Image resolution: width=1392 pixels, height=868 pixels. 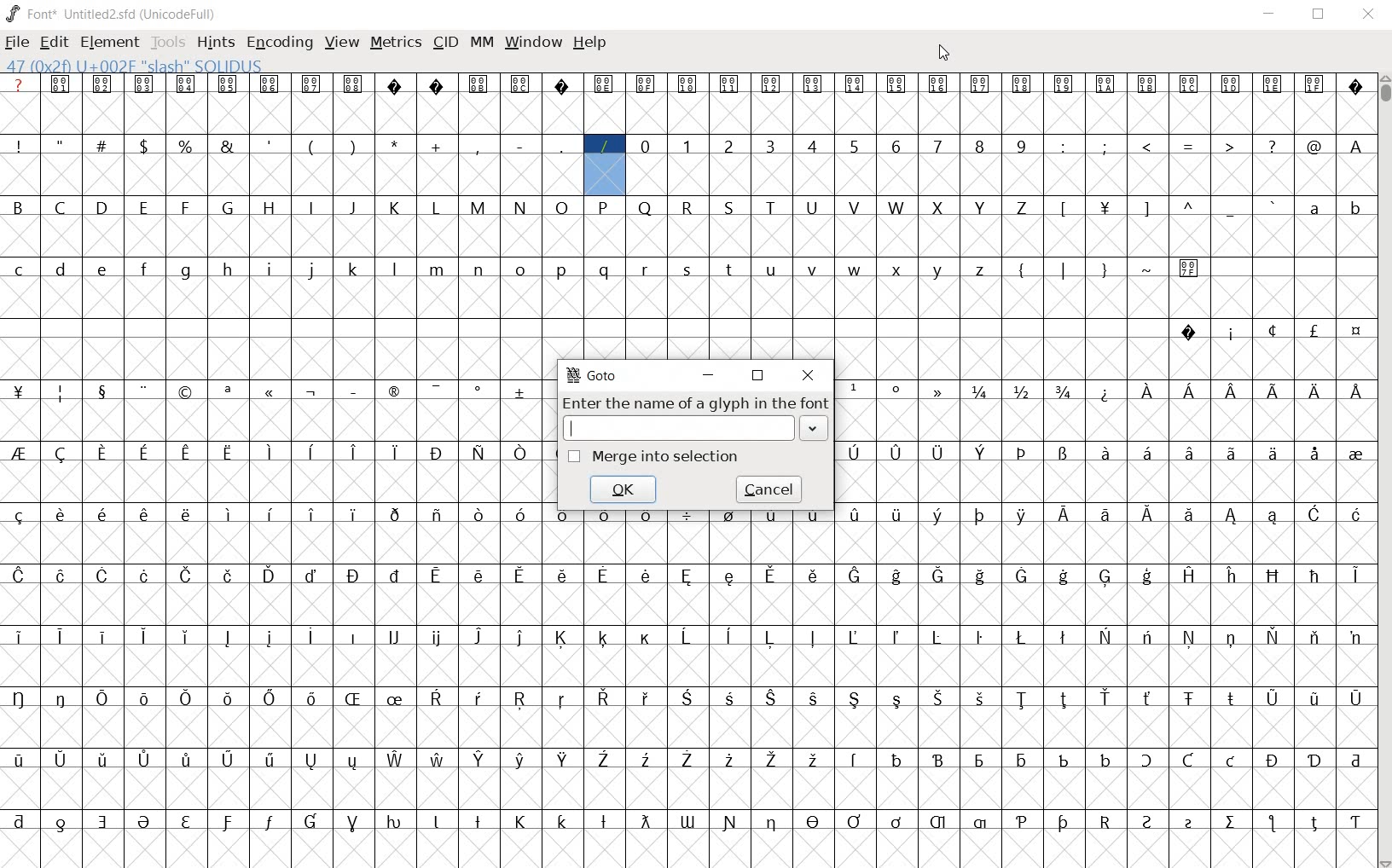 I want to click on glyph, so click(x=396, y=760).